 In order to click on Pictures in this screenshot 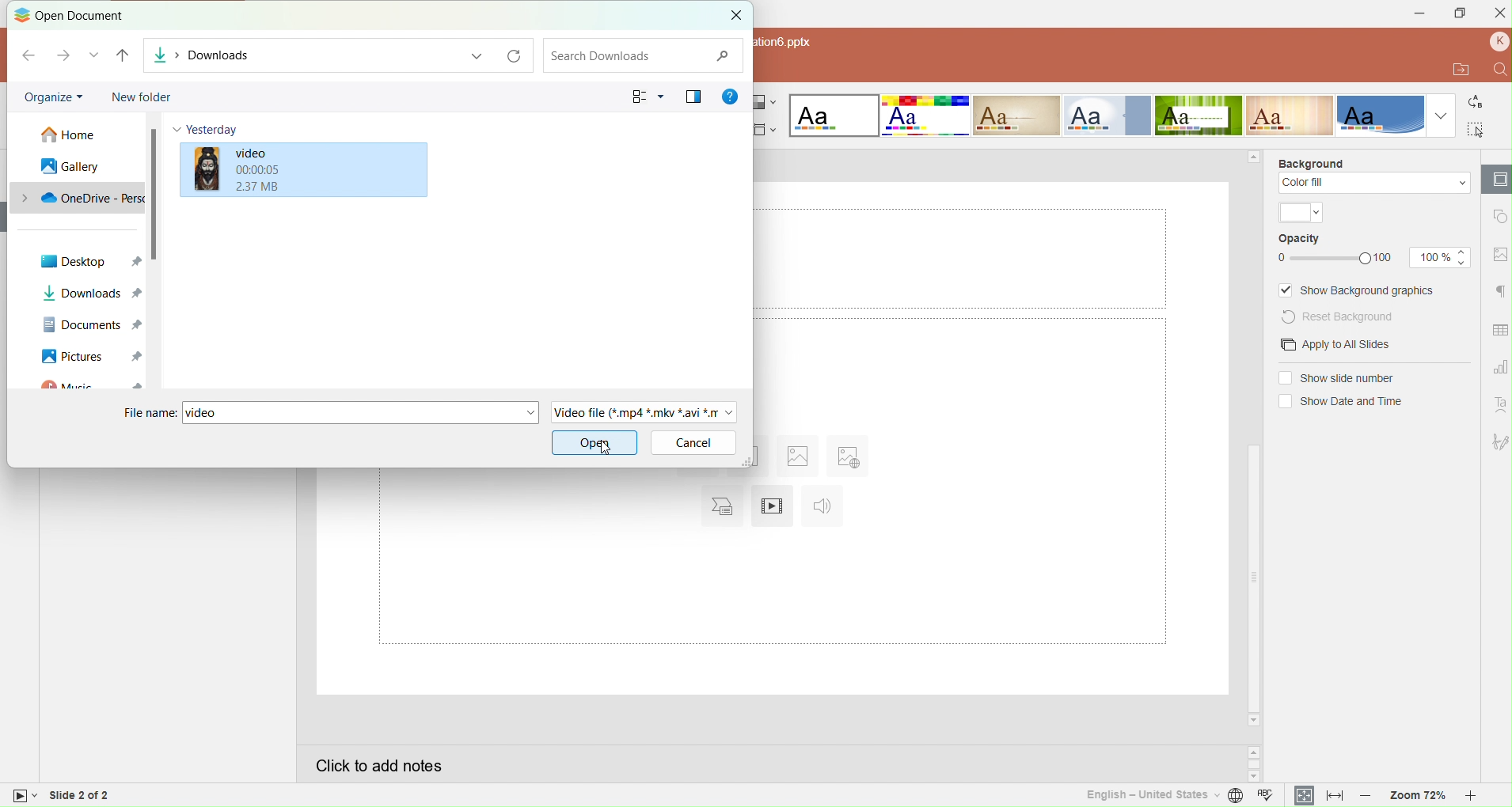, I will do `click(89, 356)`.